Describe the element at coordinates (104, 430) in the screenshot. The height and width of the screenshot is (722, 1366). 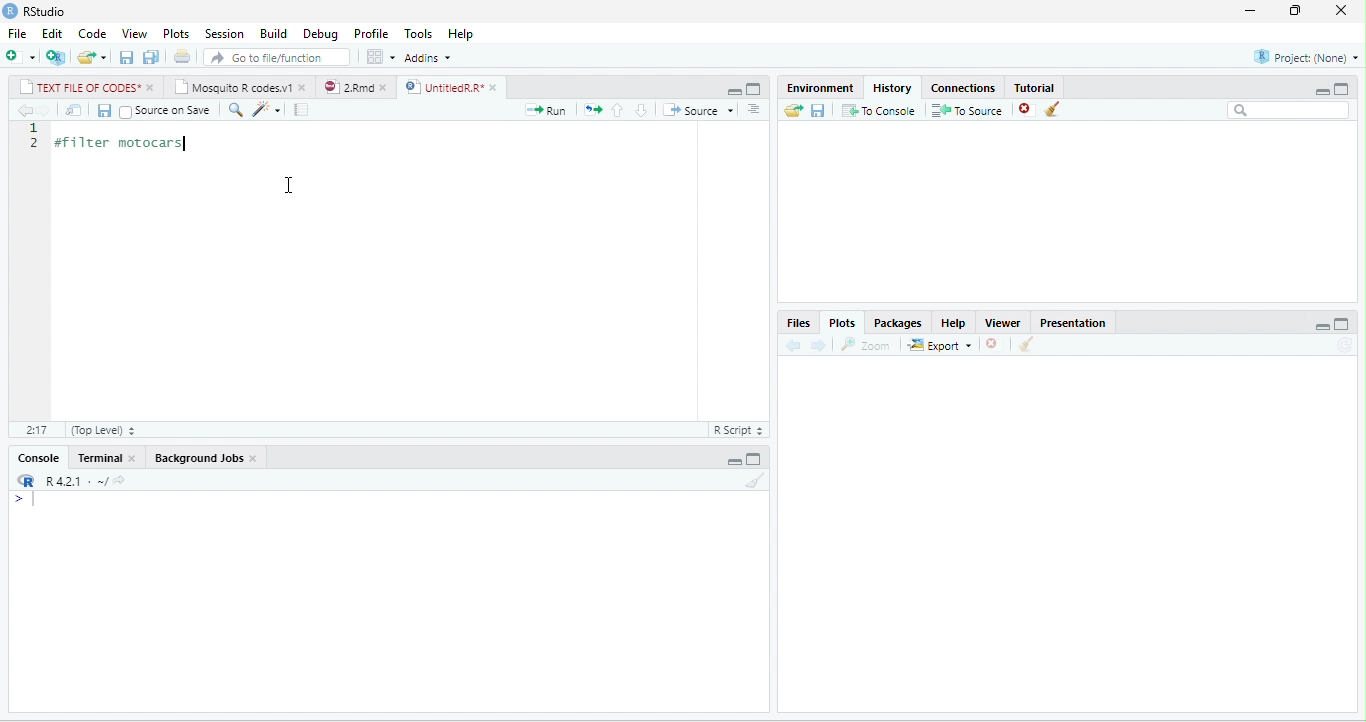
I see `Top Level` at that location.